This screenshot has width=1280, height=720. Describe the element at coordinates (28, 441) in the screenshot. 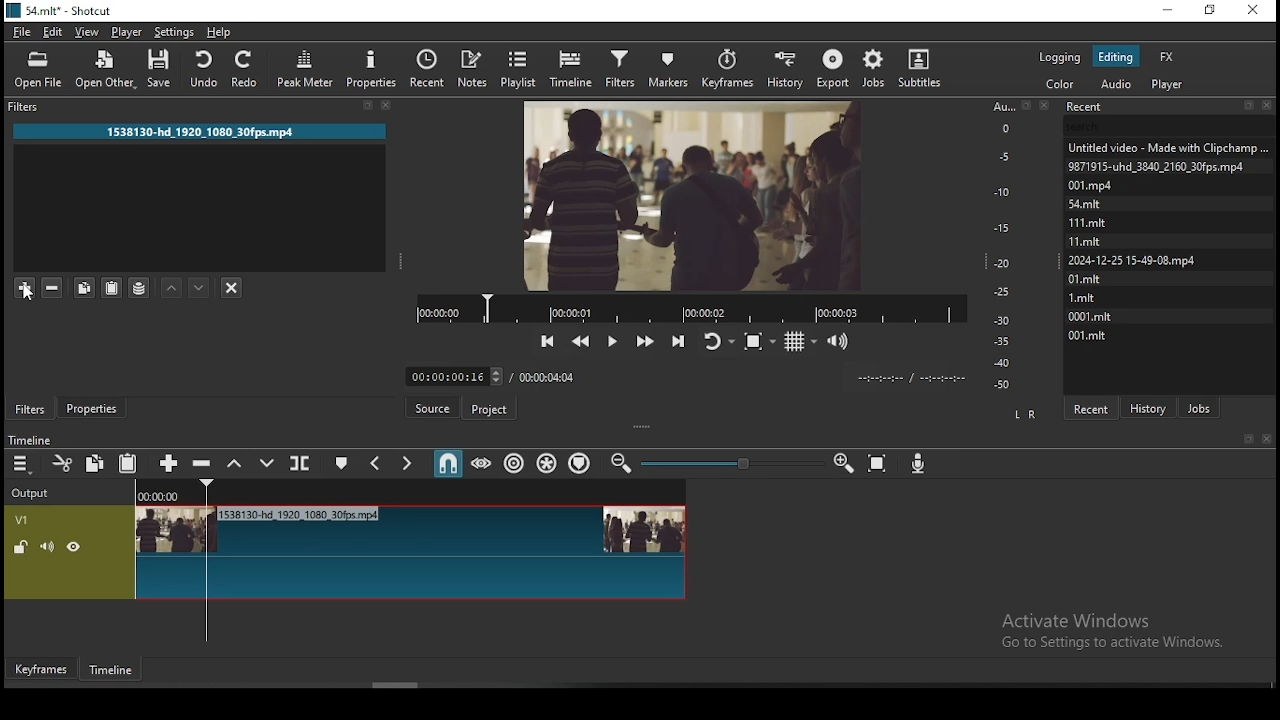

I see `timeline` at that location.